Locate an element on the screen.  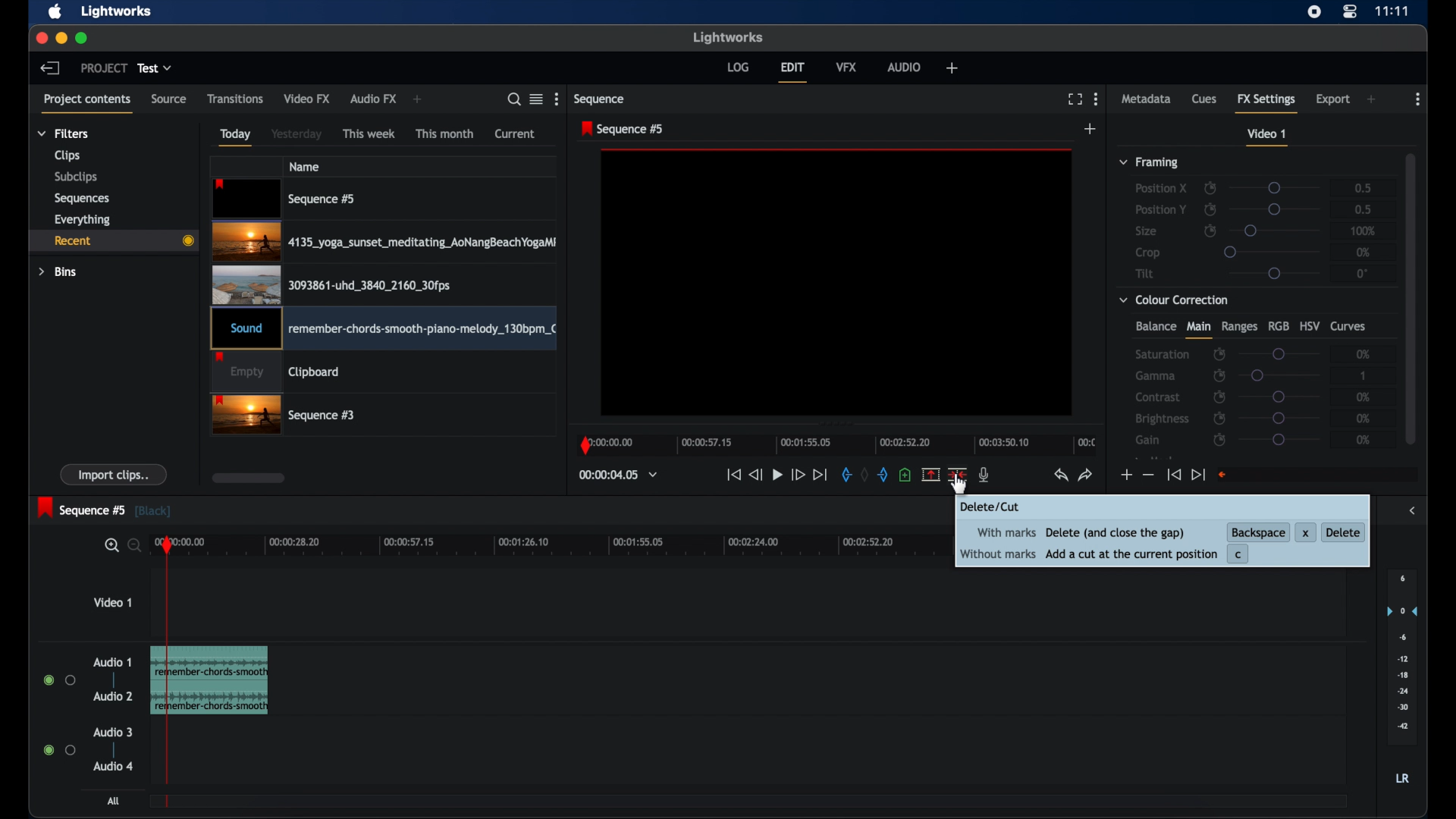
today is located at coordinates (237, 137).